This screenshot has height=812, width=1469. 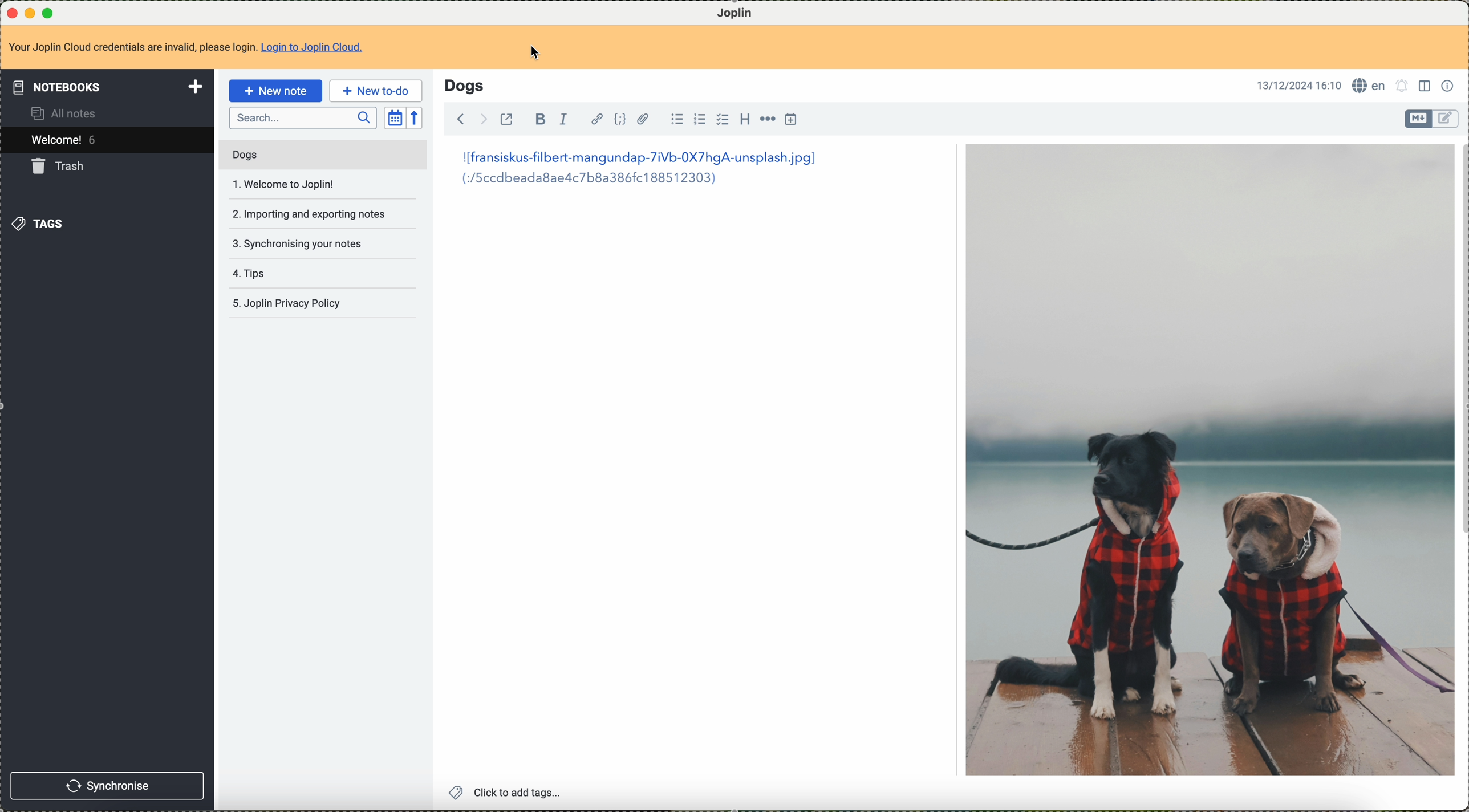 I want to click on tips, so click(x=283, y=272).